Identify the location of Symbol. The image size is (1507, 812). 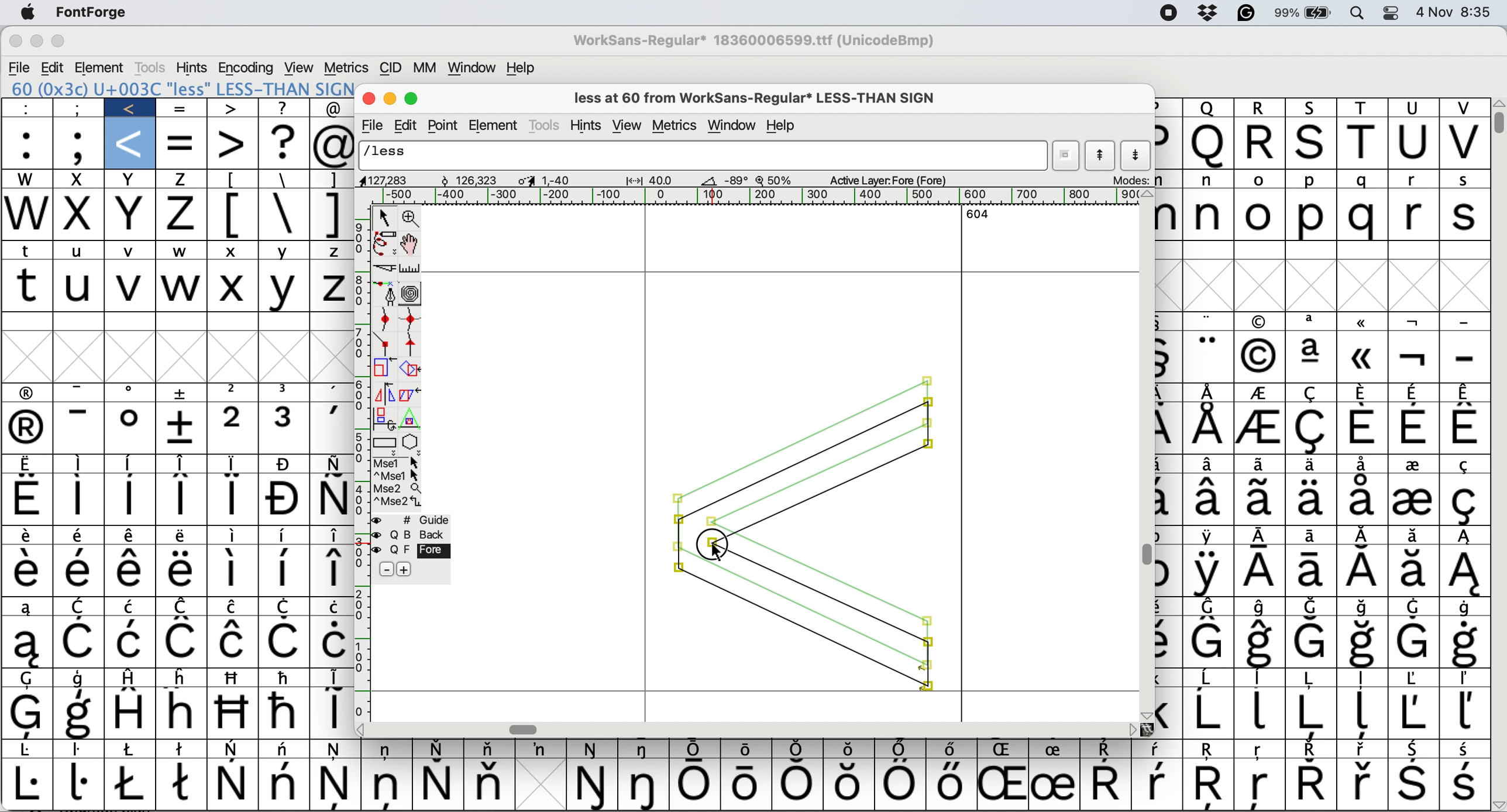
(1413, 607).